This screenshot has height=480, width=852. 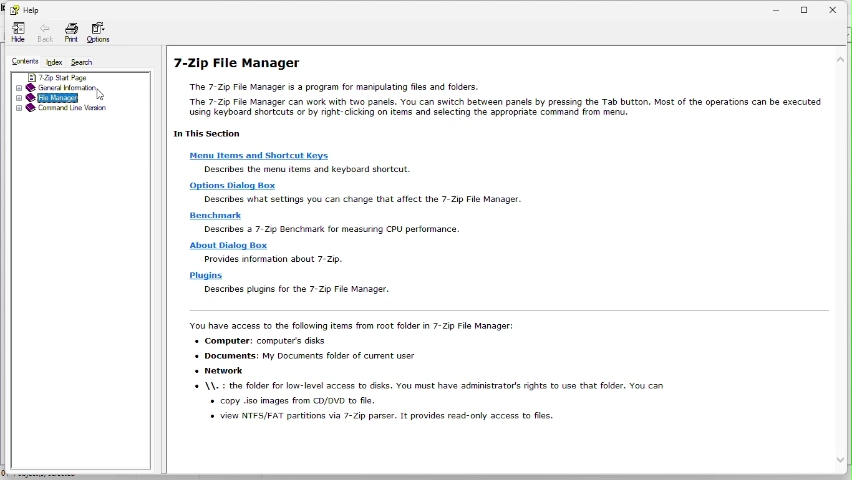 I want to click on Index , so click(x=52, y=62).